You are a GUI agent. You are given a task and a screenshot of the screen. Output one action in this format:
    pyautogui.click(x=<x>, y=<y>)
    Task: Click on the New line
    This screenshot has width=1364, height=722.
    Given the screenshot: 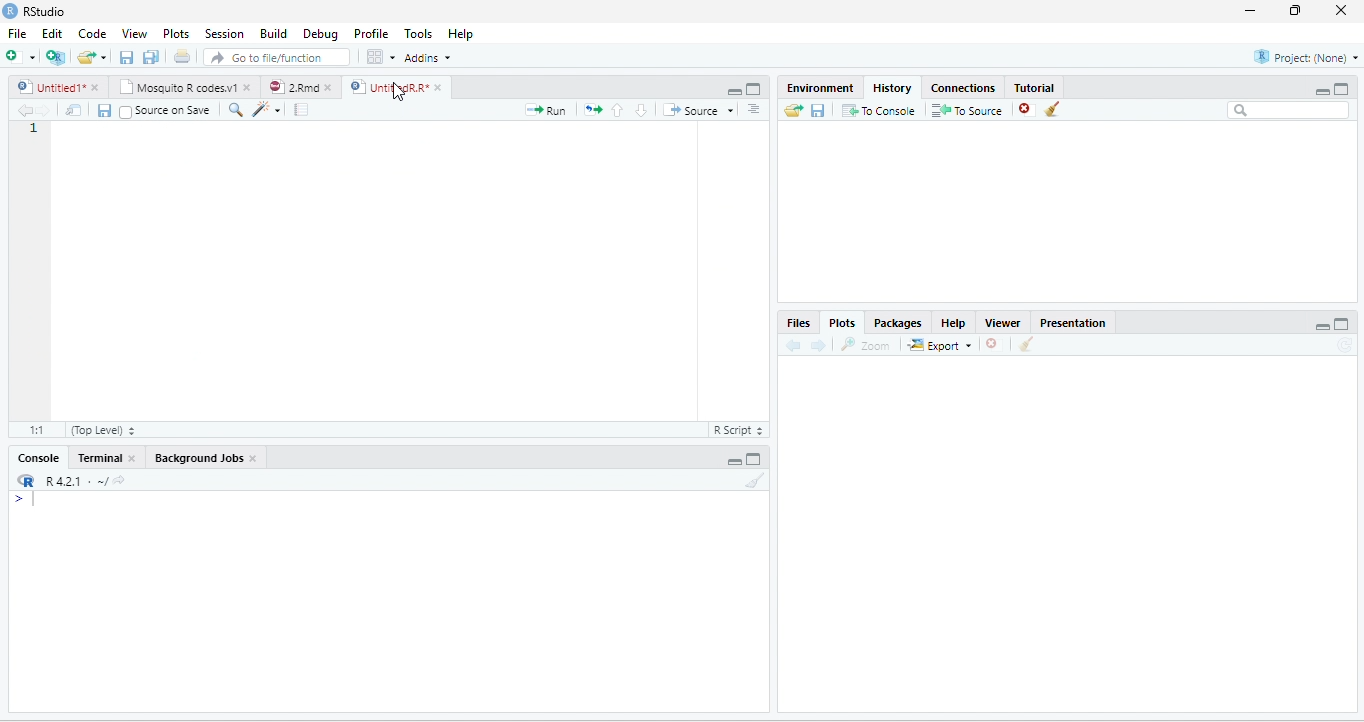 What is the action you would take?
    pyautogui.click(x=25, y=498)
    